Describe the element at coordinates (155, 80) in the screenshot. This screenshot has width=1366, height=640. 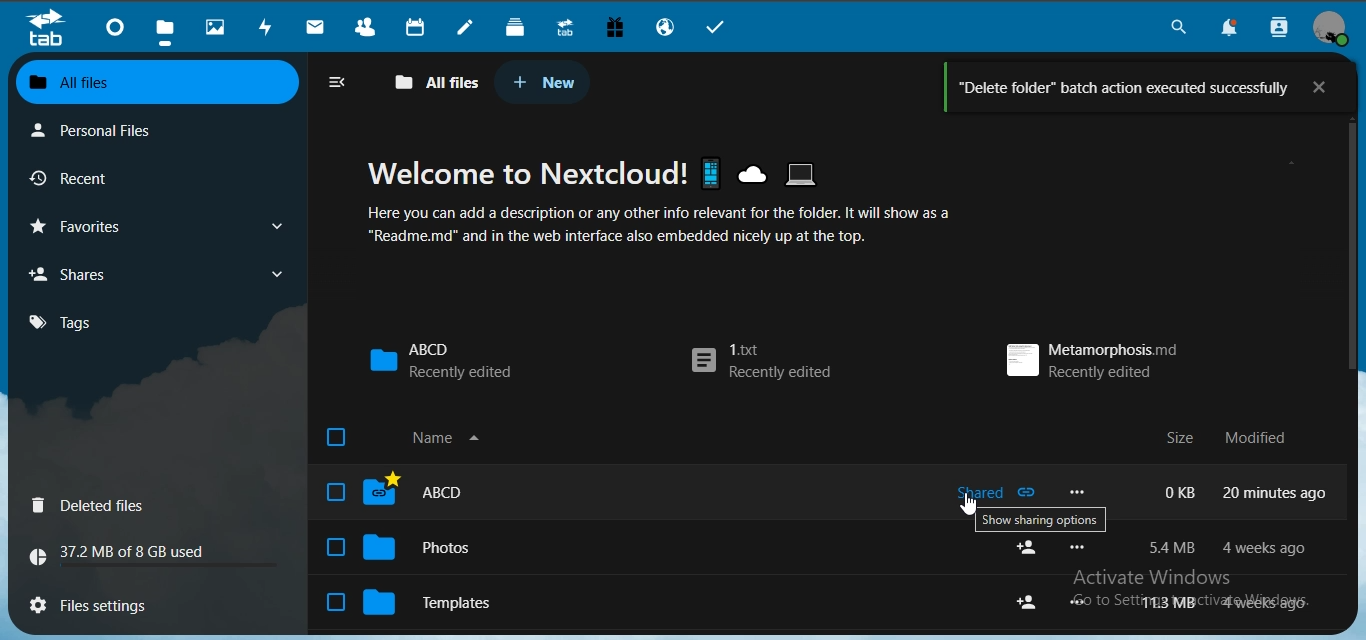
I see `all files` at that location.